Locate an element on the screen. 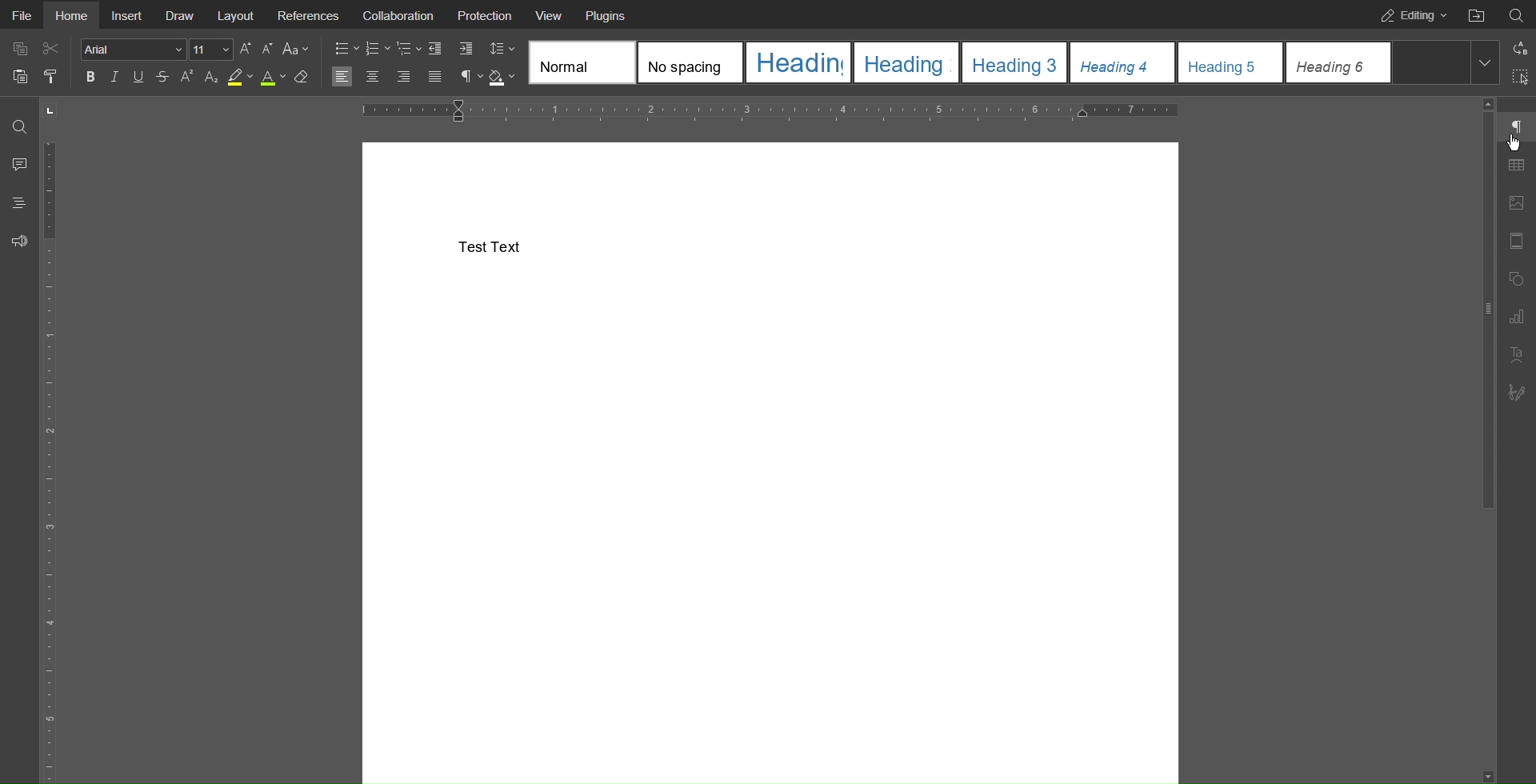  Highlight is located at coordinates (240, 78).